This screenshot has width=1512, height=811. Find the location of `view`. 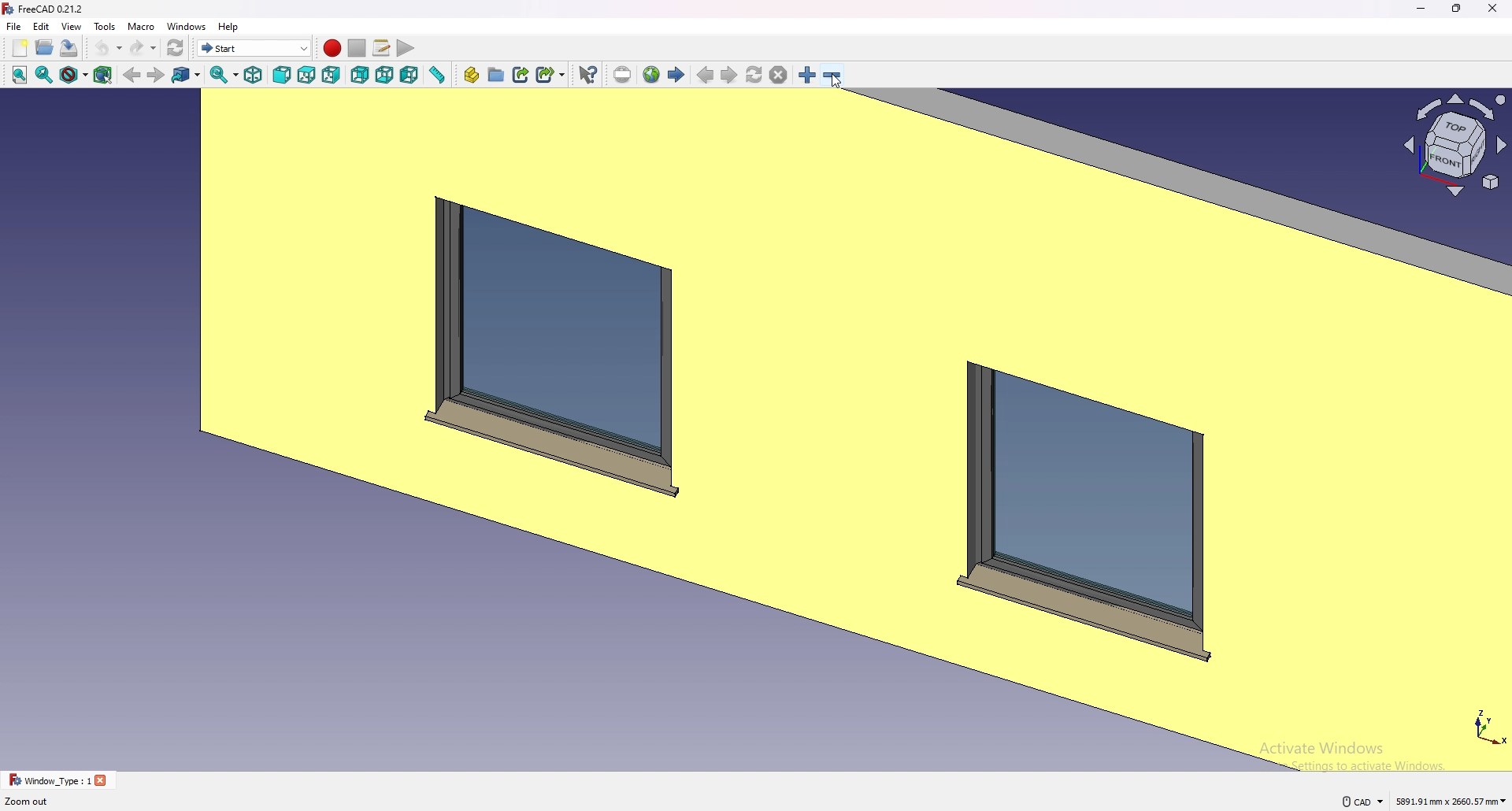

view is located at coordinates (71, 27).